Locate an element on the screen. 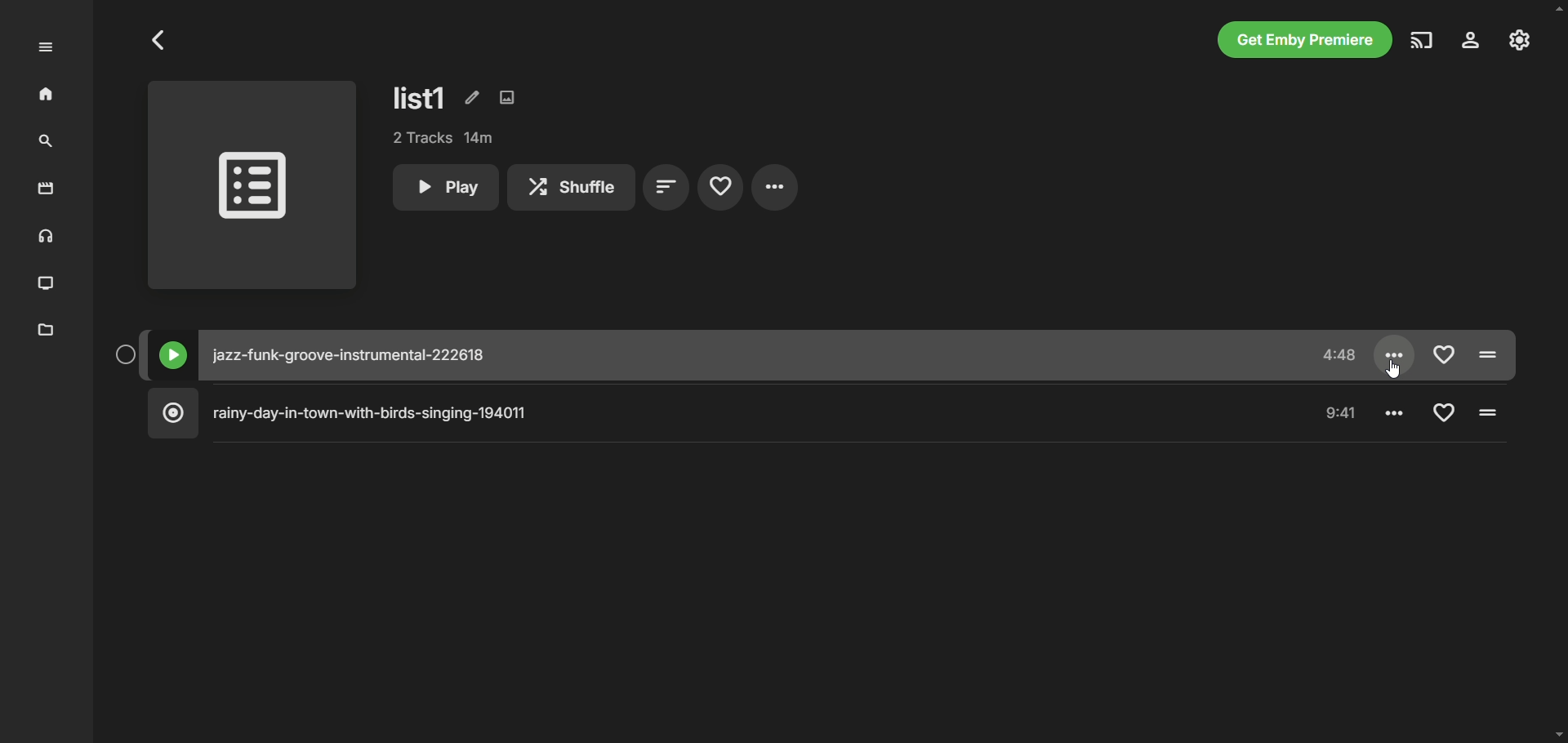  Select button is located at coordinates (126, 354).